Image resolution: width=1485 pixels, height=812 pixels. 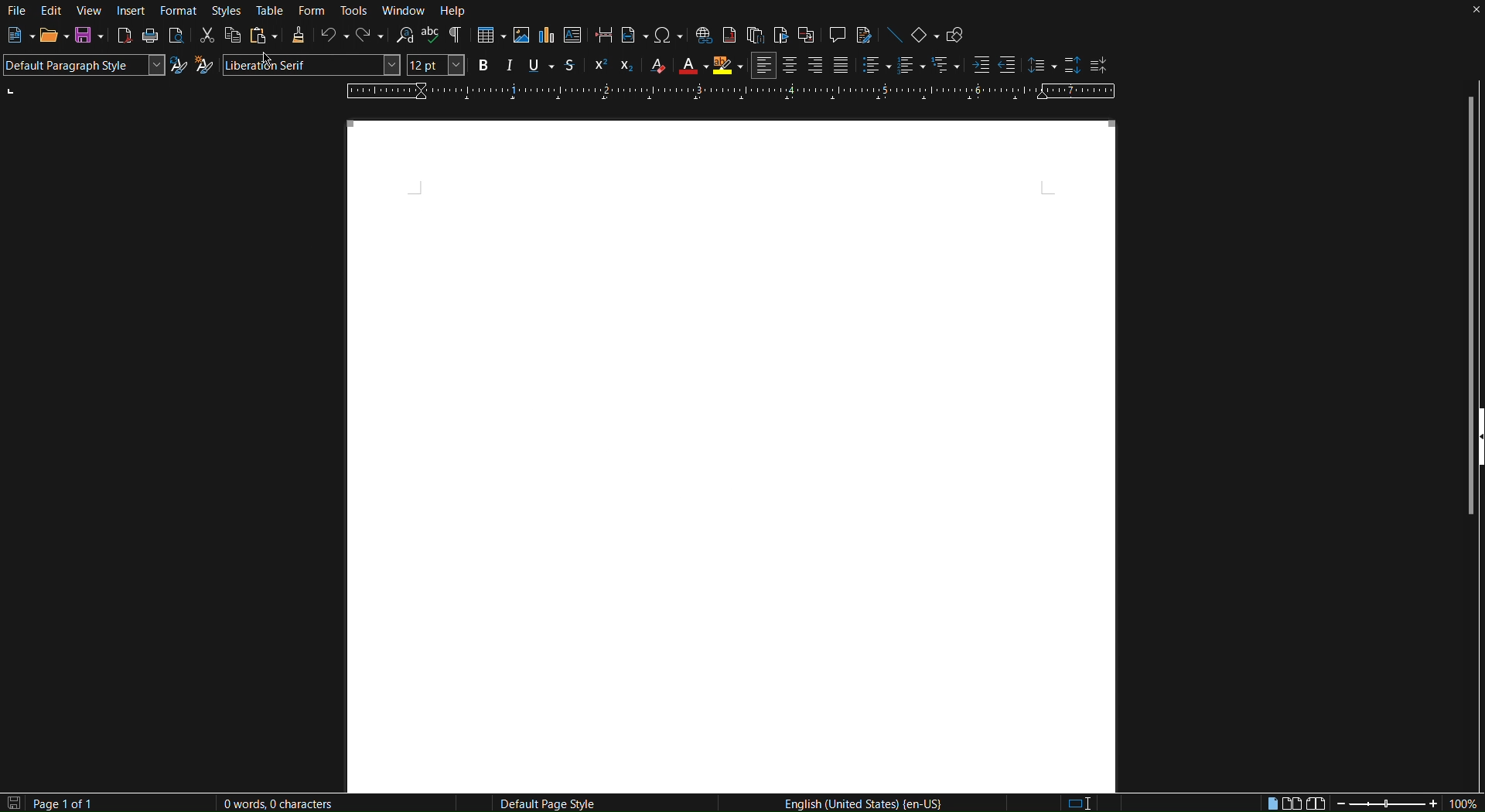 What do you see at coordinates (276, 801) in the screenshot?
I see `0 Words, 0 Characters` at bounding box center [276, 801].